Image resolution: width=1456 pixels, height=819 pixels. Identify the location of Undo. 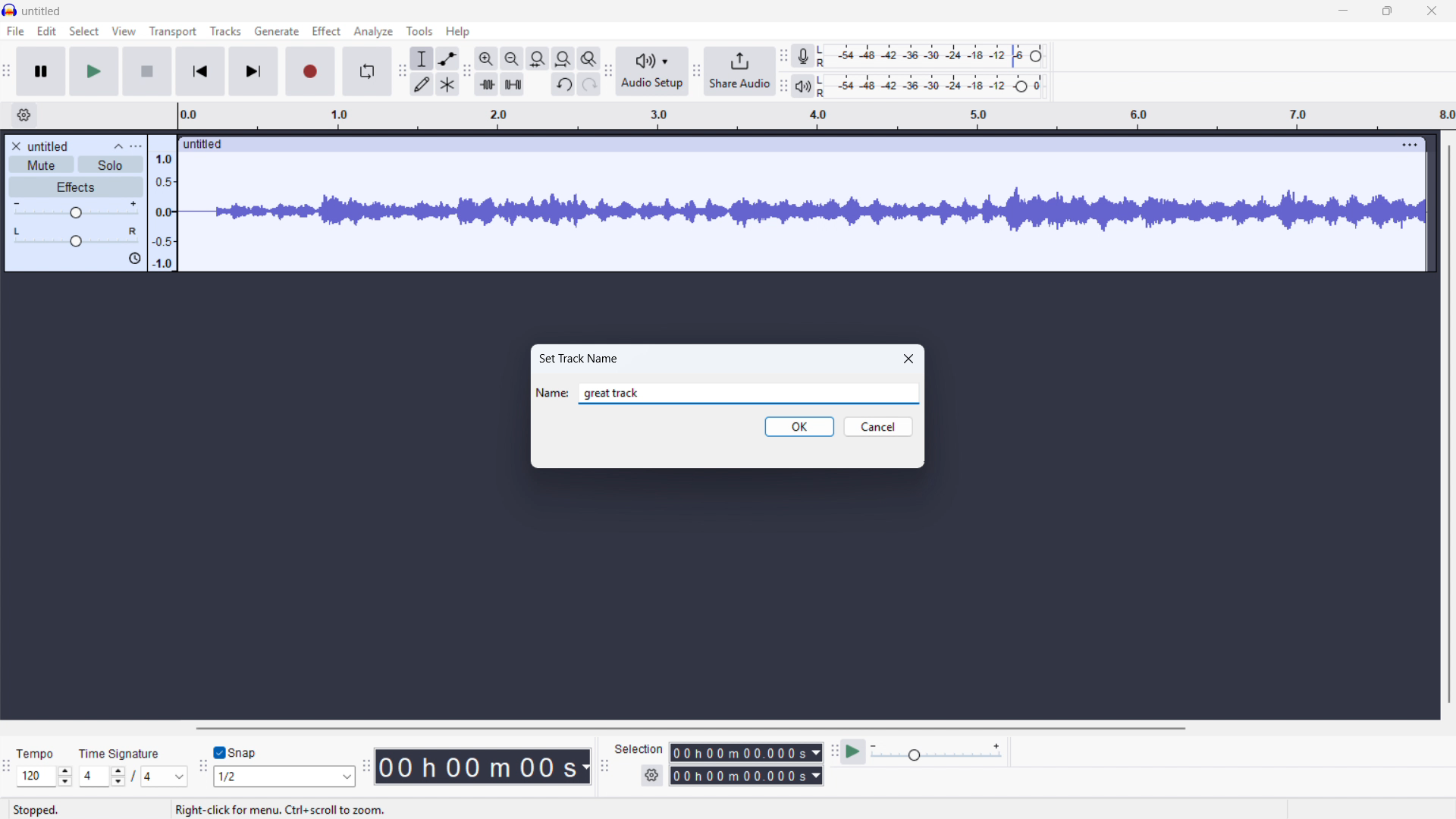
(563, 85).